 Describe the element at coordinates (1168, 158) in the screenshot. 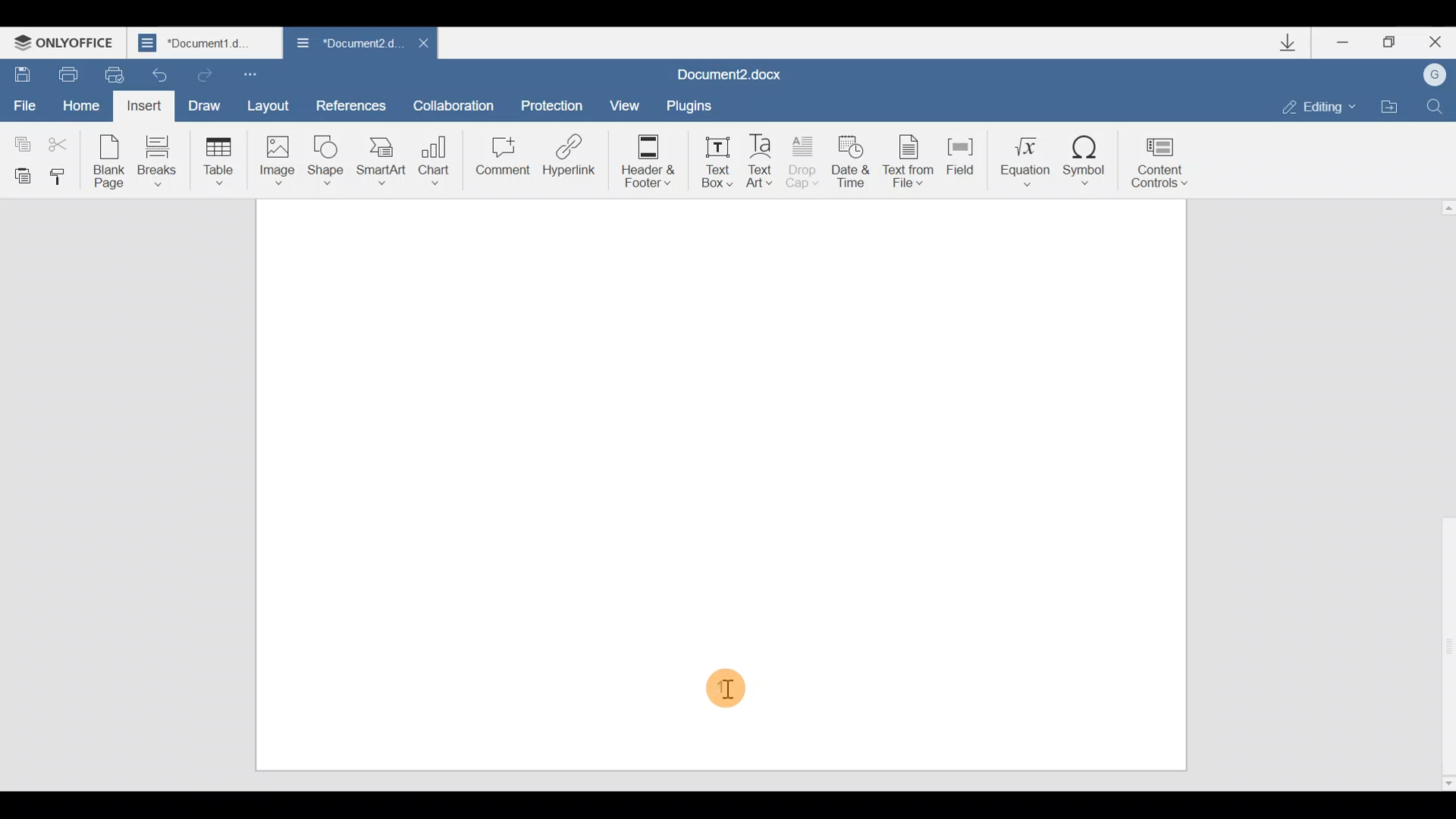

I see `Content controls` at that location.